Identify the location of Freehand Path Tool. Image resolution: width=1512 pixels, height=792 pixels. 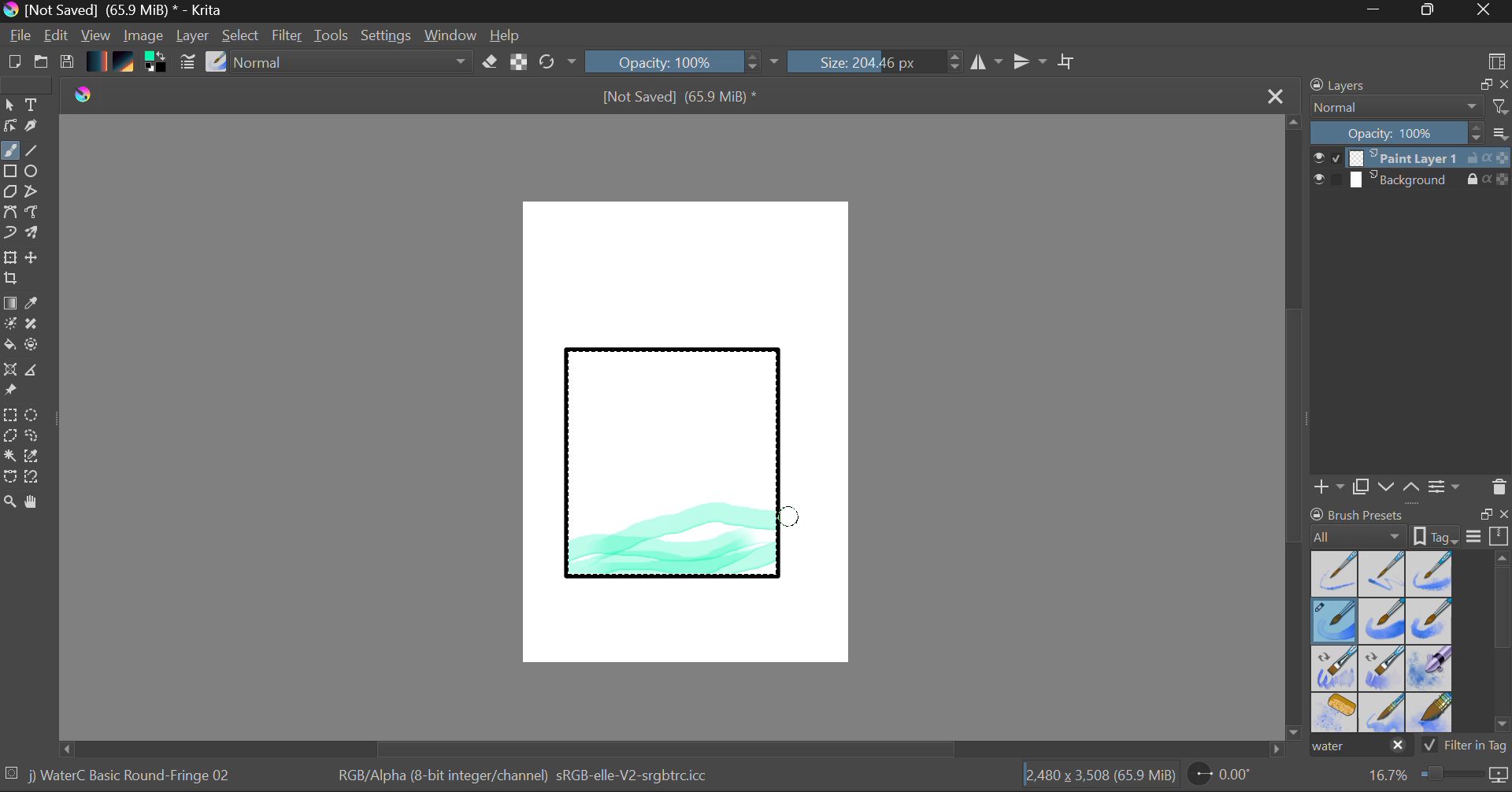
(31, 213).